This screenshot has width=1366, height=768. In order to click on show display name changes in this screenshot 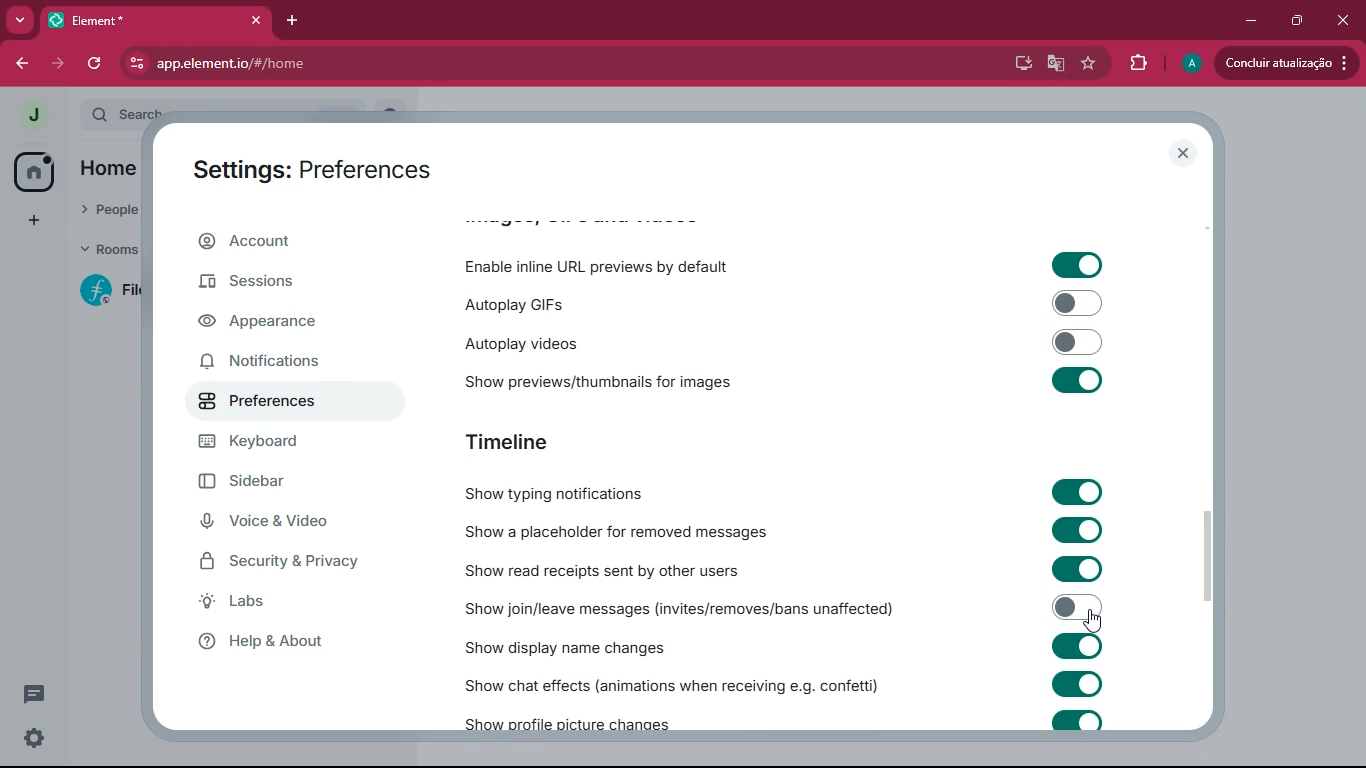, I will do `click(568, 645)`.